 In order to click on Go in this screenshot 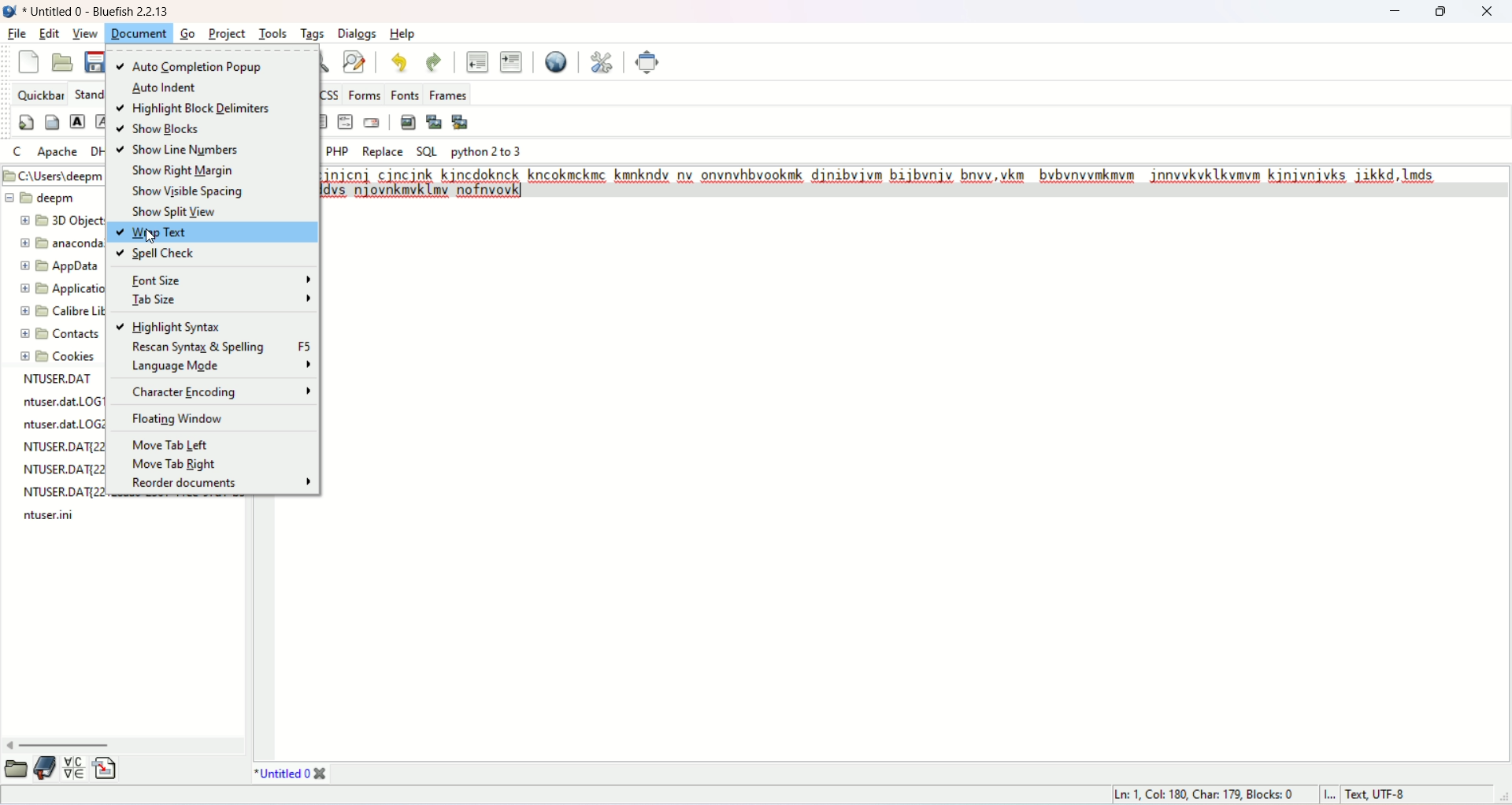, I will do `click(191, 30)`.